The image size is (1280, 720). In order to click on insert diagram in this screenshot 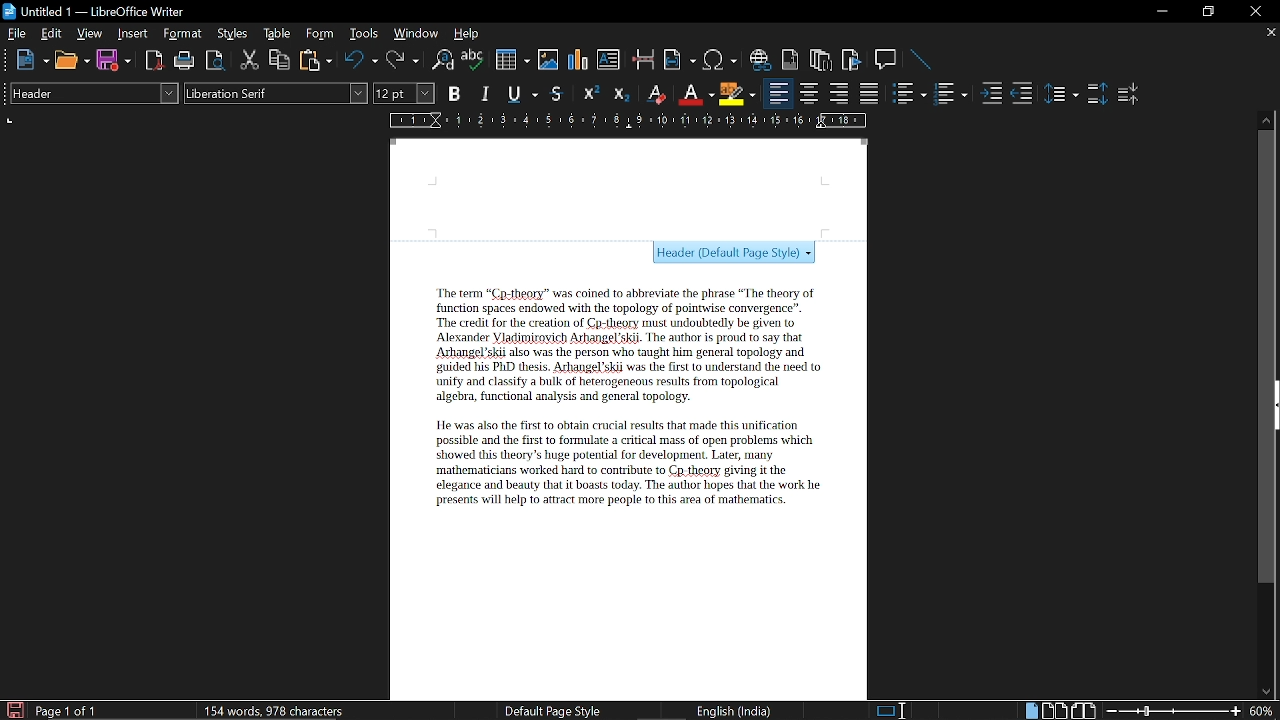, I will do `click(578, 60)`.